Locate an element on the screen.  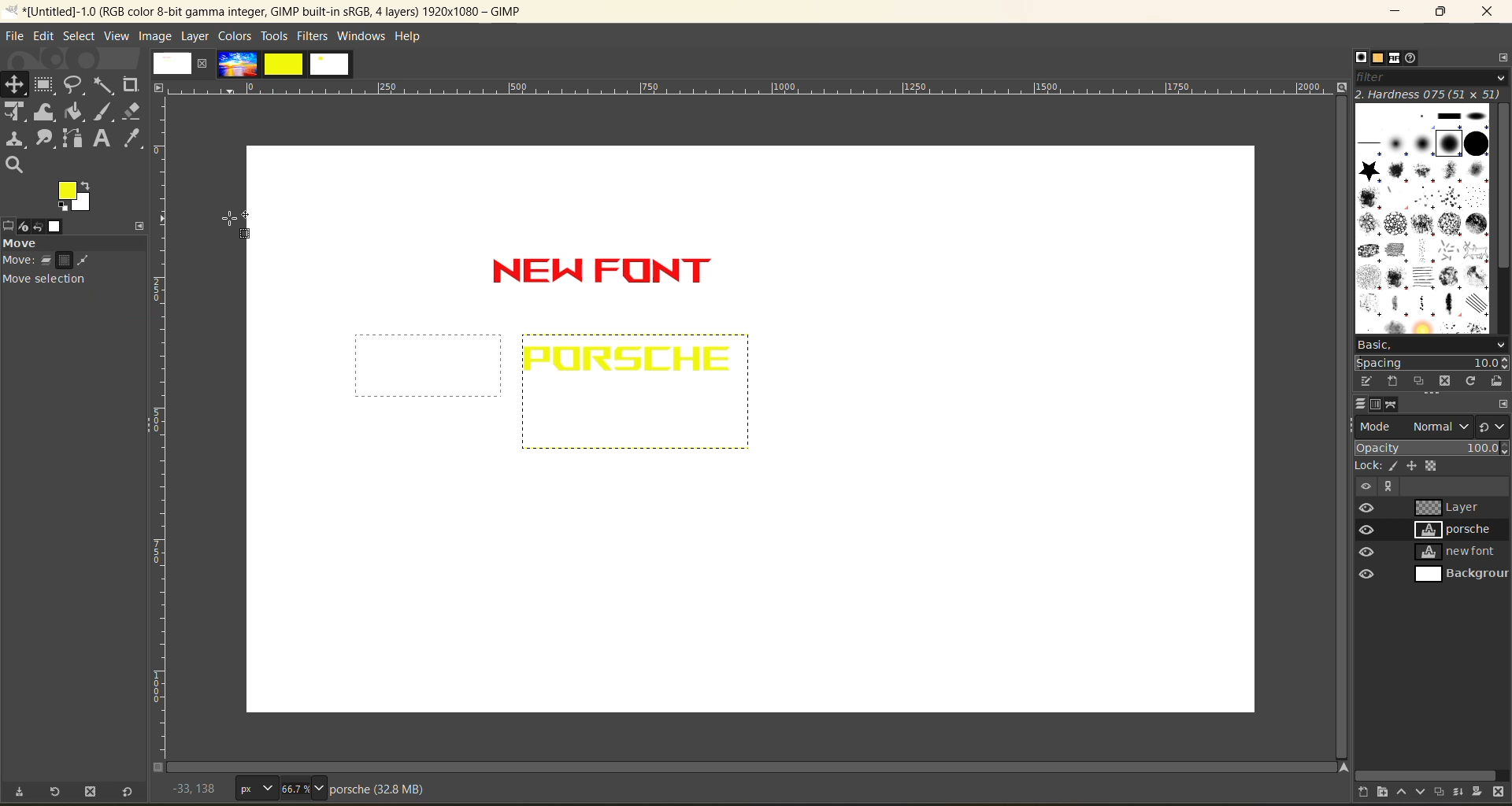
refresh brushes is located at coordinates (1467, 381).